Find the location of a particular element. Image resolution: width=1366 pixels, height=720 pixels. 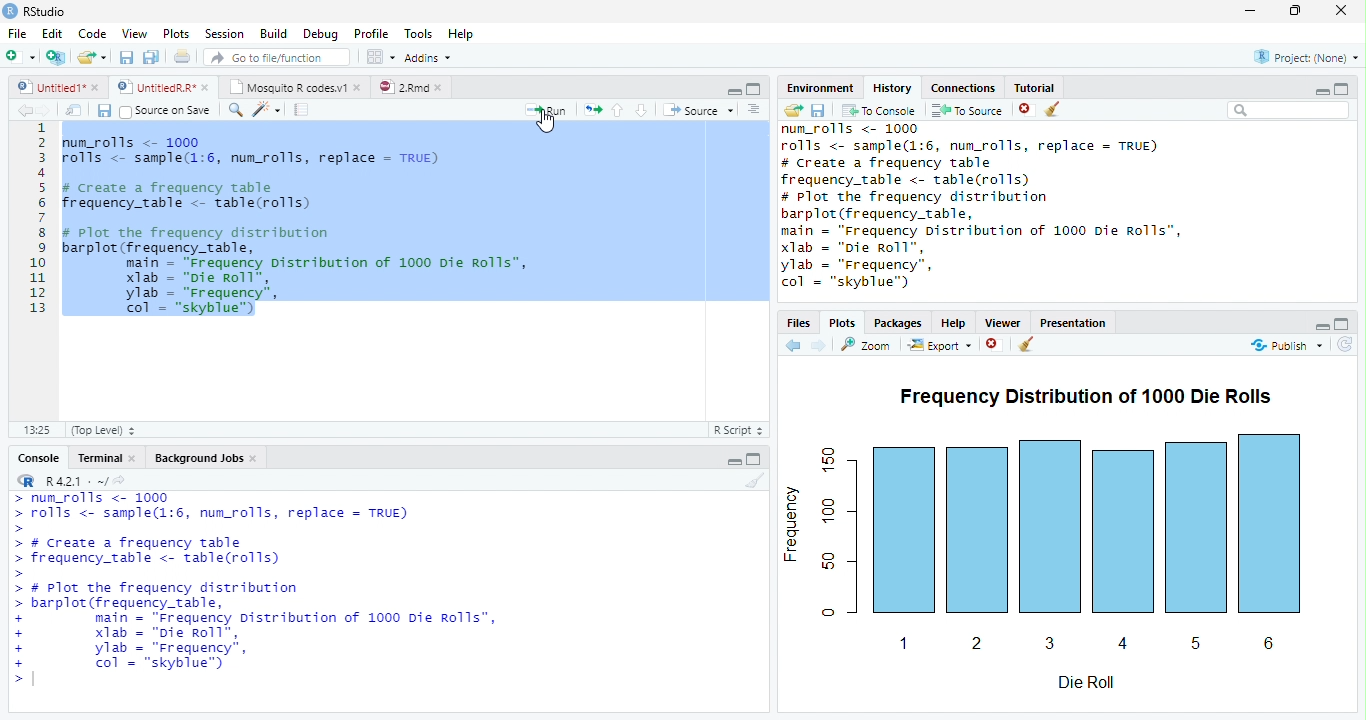

Publish is located at coordinates (1284, 346).